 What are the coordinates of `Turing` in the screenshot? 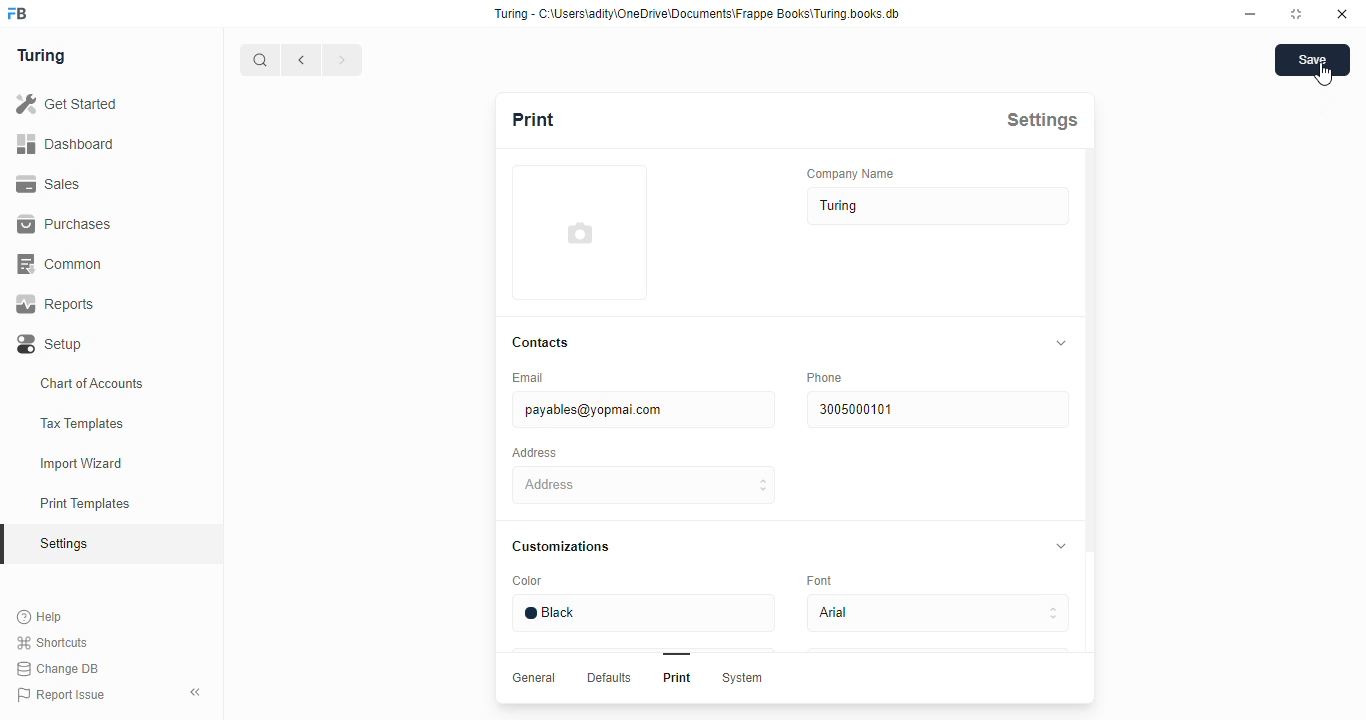 It's located at (47, 56).